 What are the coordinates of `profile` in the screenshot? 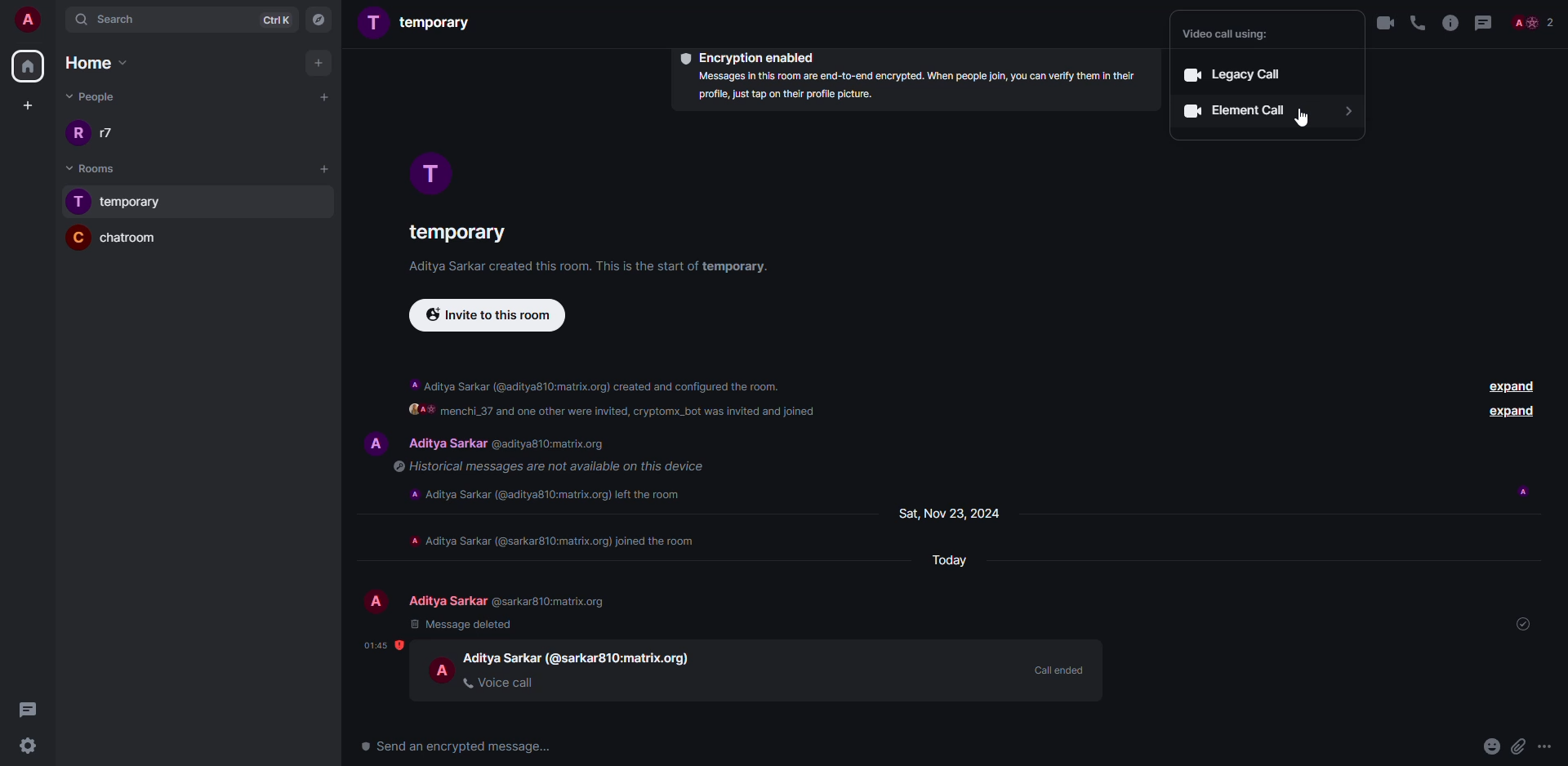 It's located at (371, 443).